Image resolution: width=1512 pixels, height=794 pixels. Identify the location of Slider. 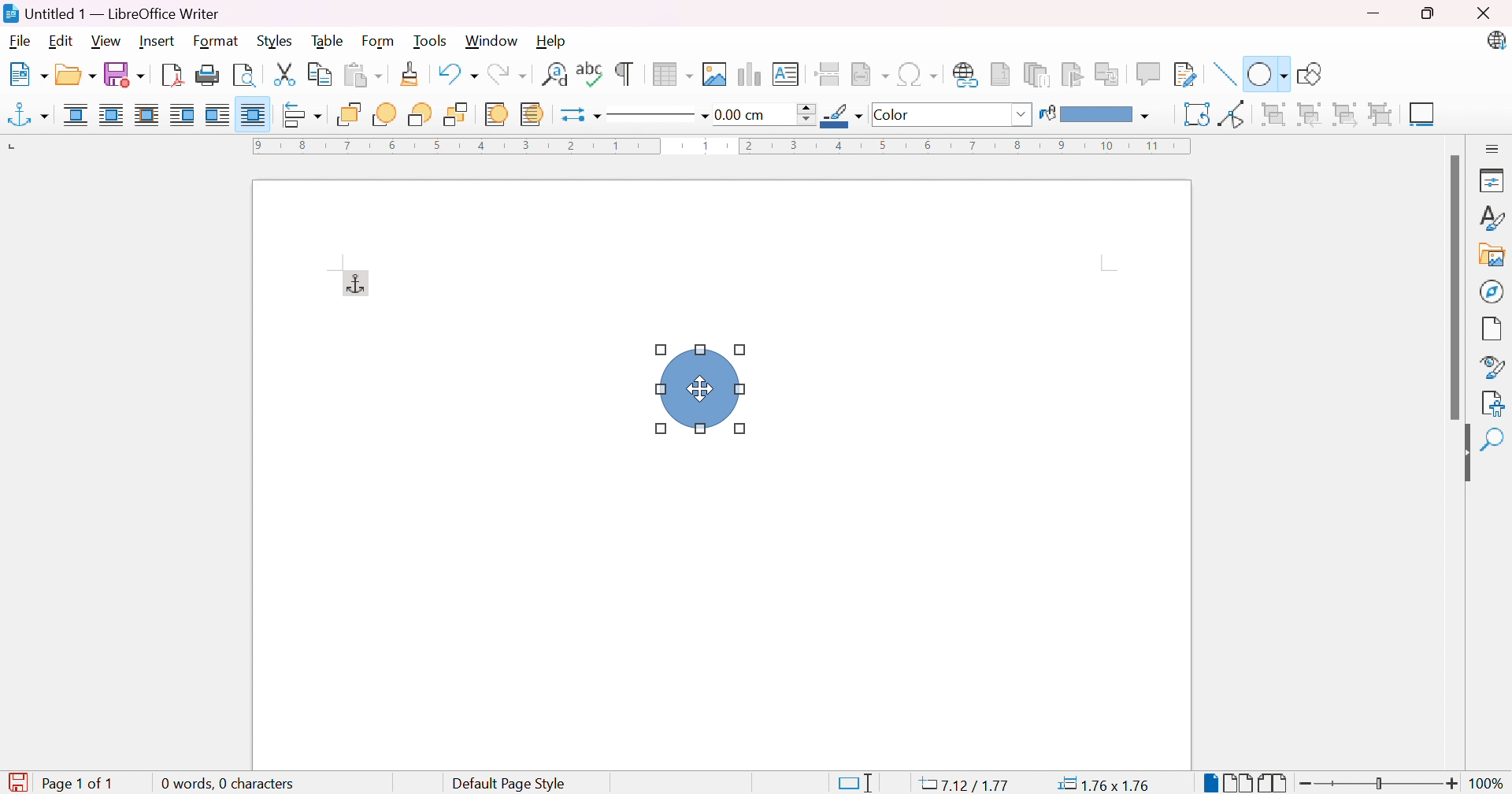
(1374, 784).